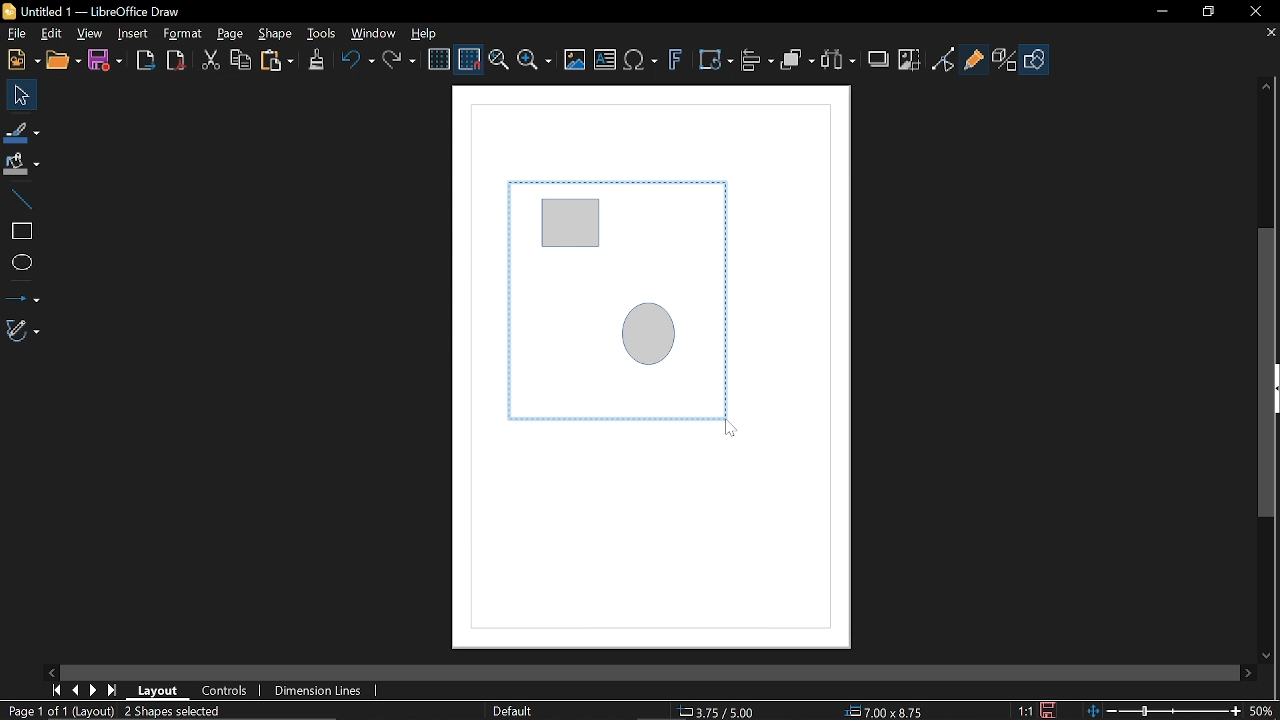 This screenshot has height=720, width=1280. I want to click on Line color, so click(22, 129).